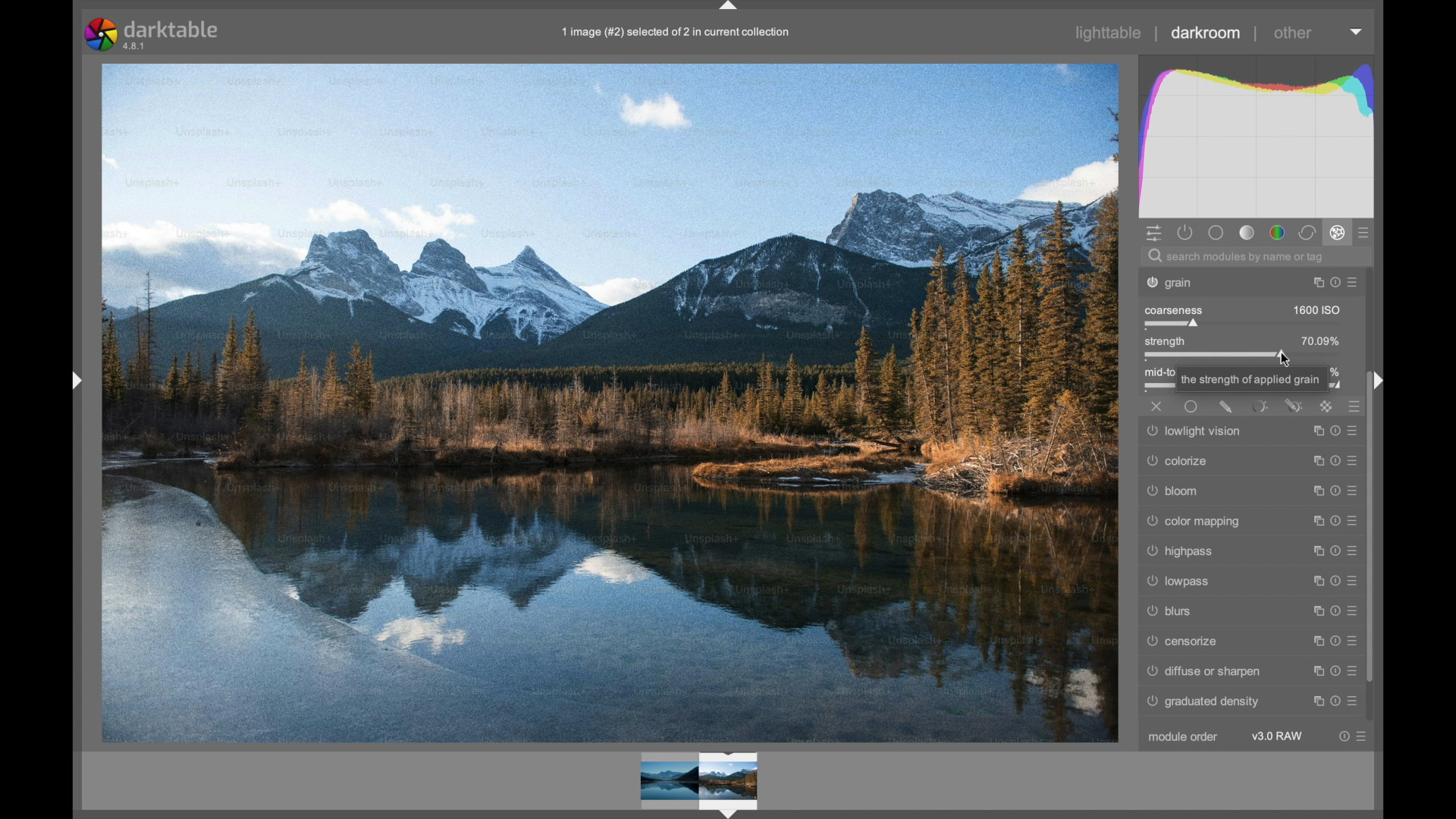 Image resolution: width=1456 pixels, height=819 pixels. Describe the element at coordinates (1313, 460) in the screenshot. I see `instance` at that location.